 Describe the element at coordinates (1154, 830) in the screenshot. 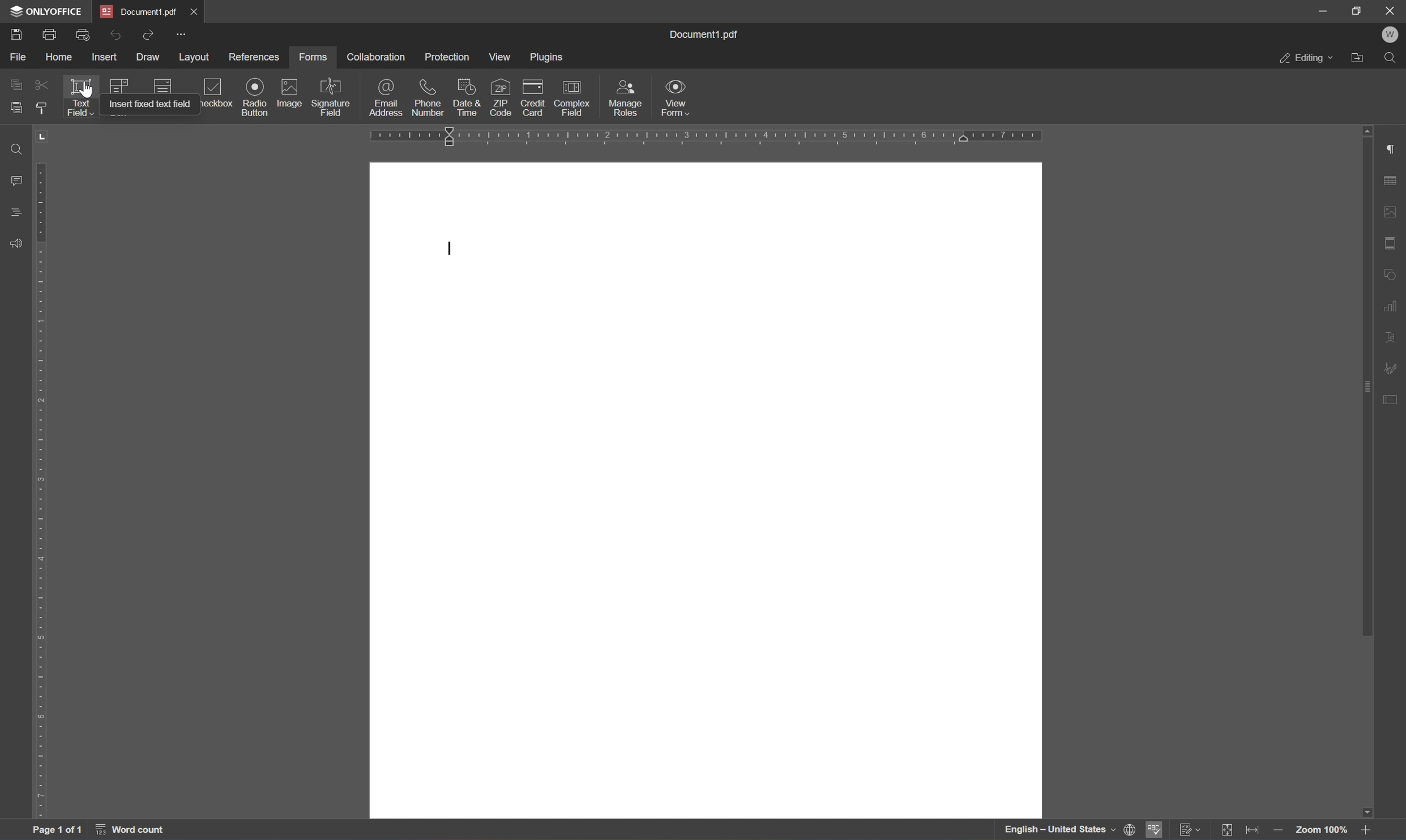

I see `spell checking` at that location.